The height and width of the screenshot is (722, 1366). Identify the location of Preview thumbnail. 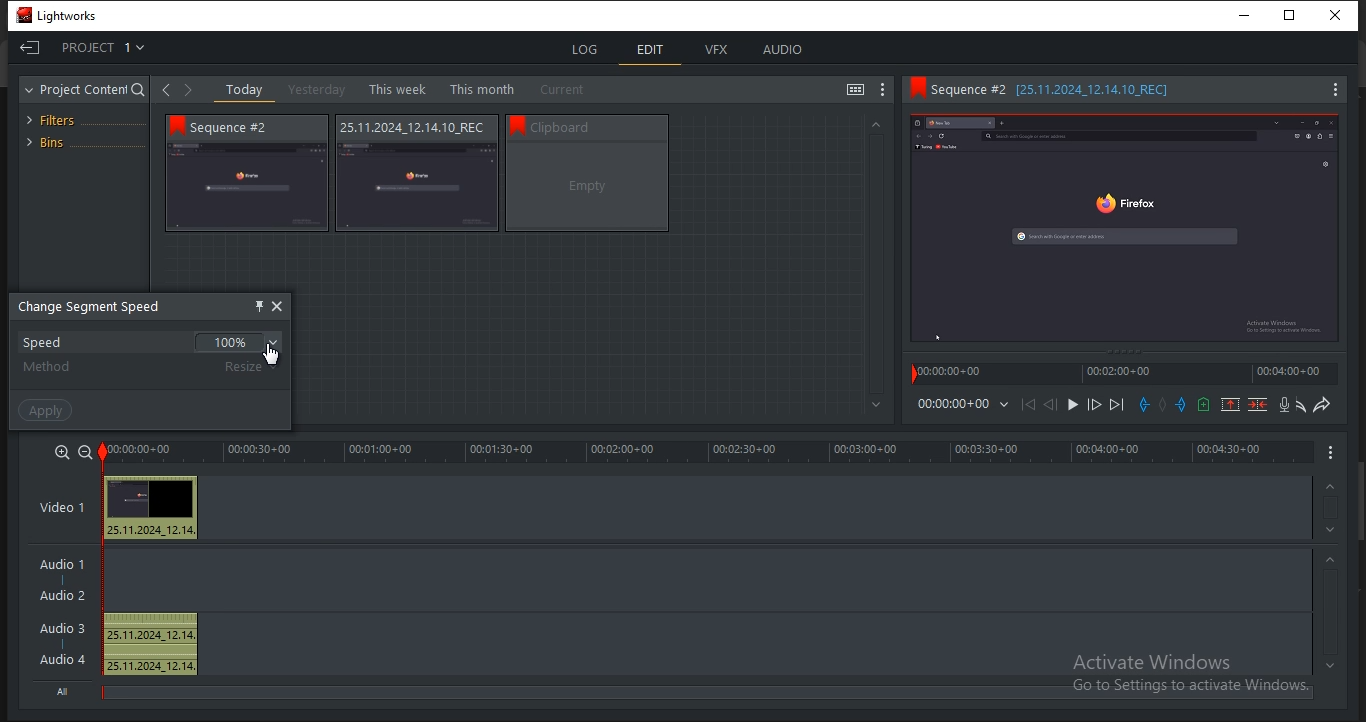
(153, 499).